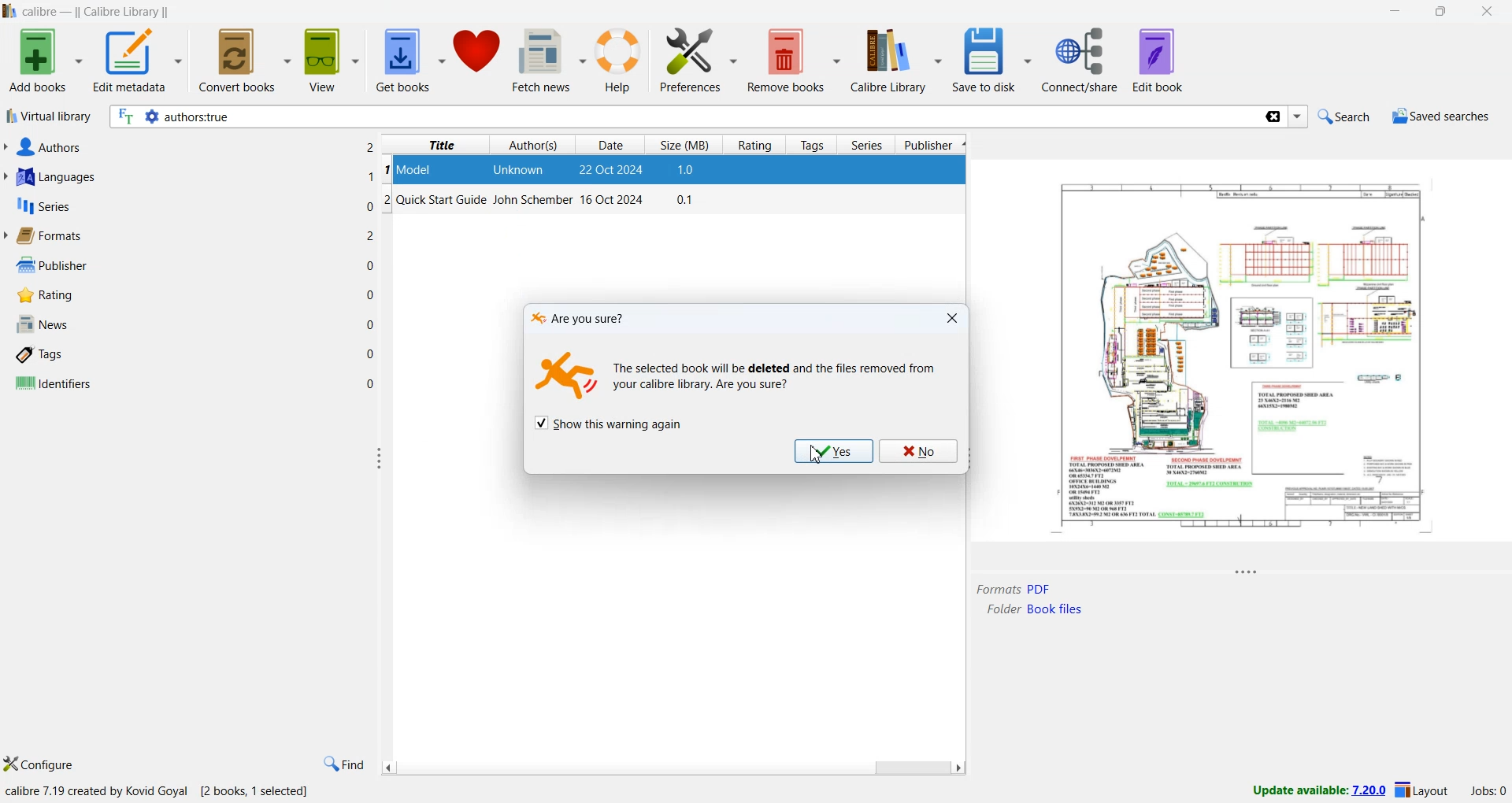 The height and width of the screenshot is (803, 1512). Describe the element at coordinates (867, 146) in the screenshot. I see `series` at that location.